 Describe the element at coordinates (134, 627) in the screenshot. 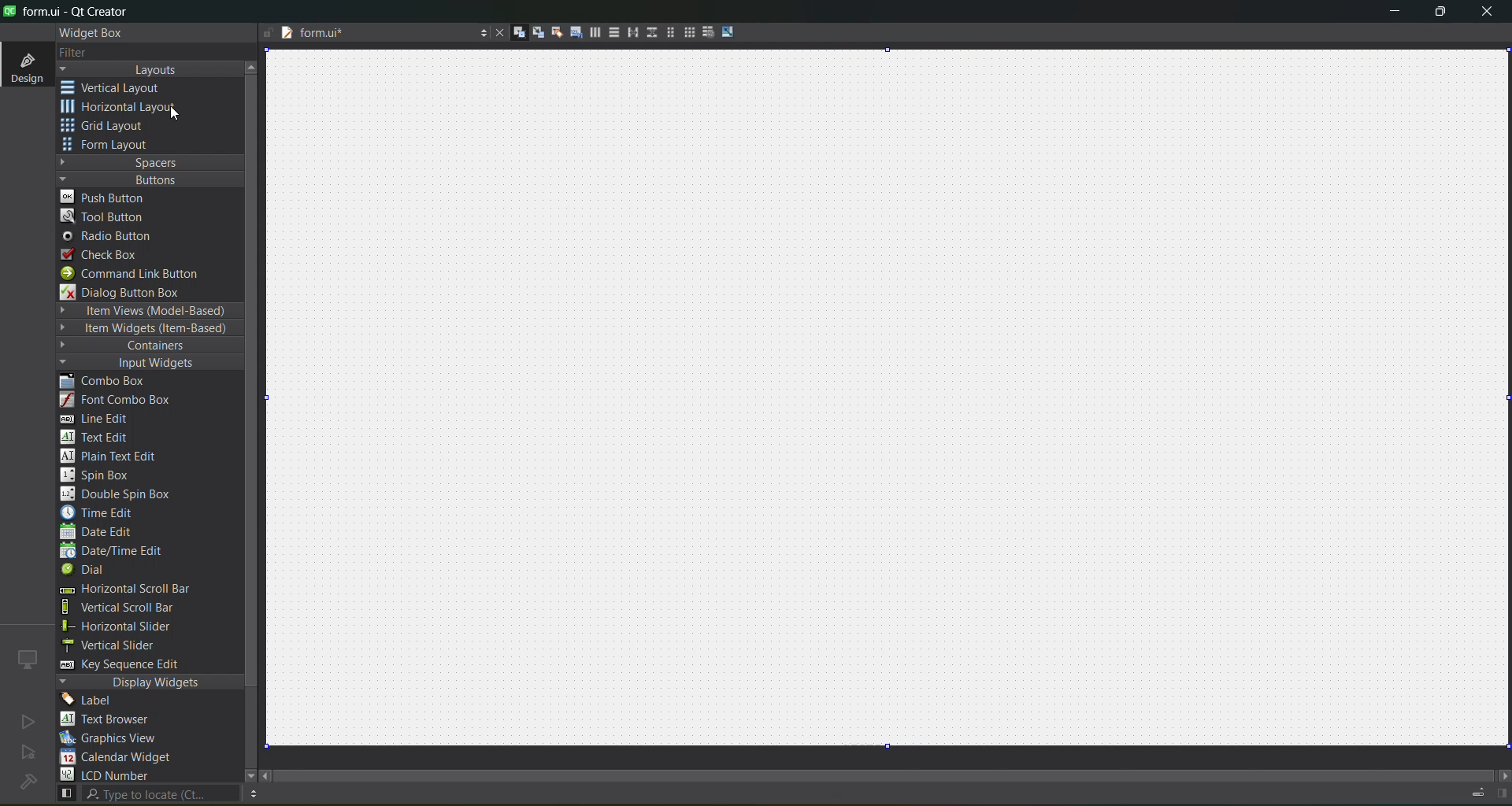

I see `horizontal slider` at that location.